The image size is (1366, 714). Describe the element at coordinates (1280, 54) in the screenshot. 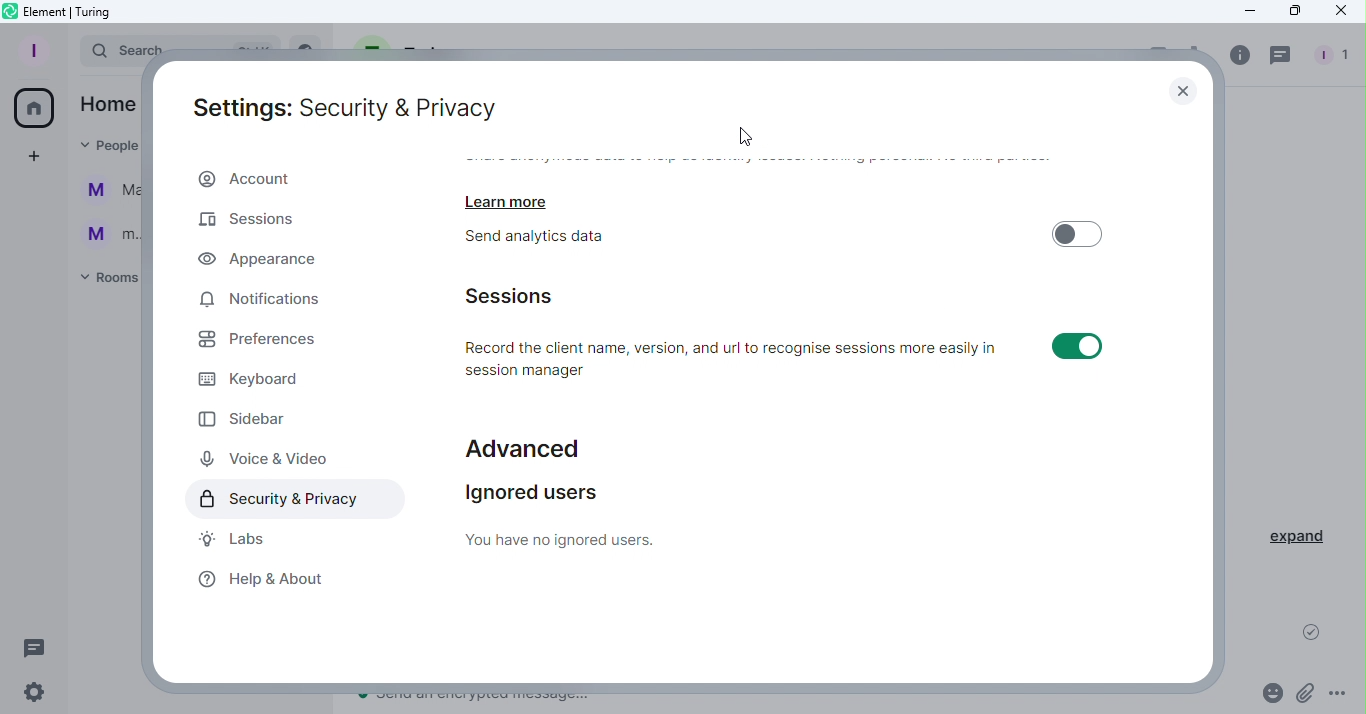

I see `Threads` at that location.